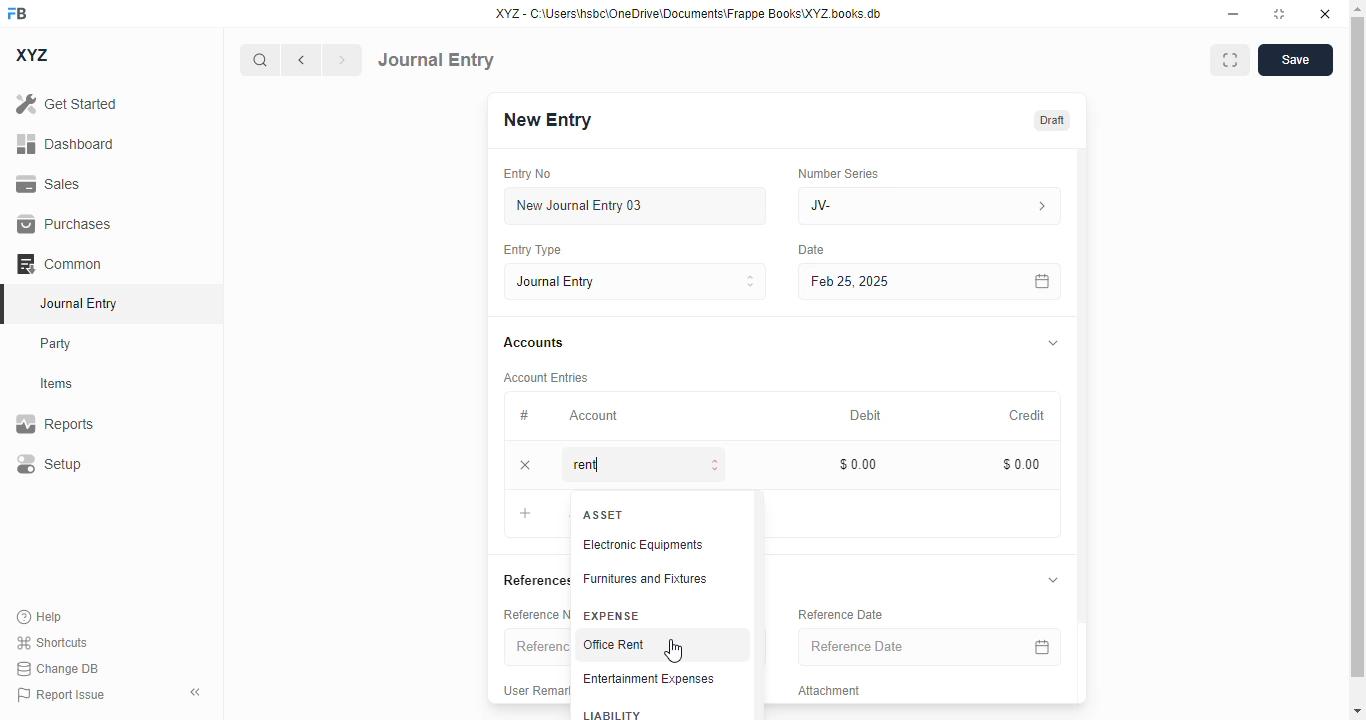 The image size is (1366, 720). Describe the element at coordinates (1021, 464) in the screenshot. I see `$0.00` at that location.